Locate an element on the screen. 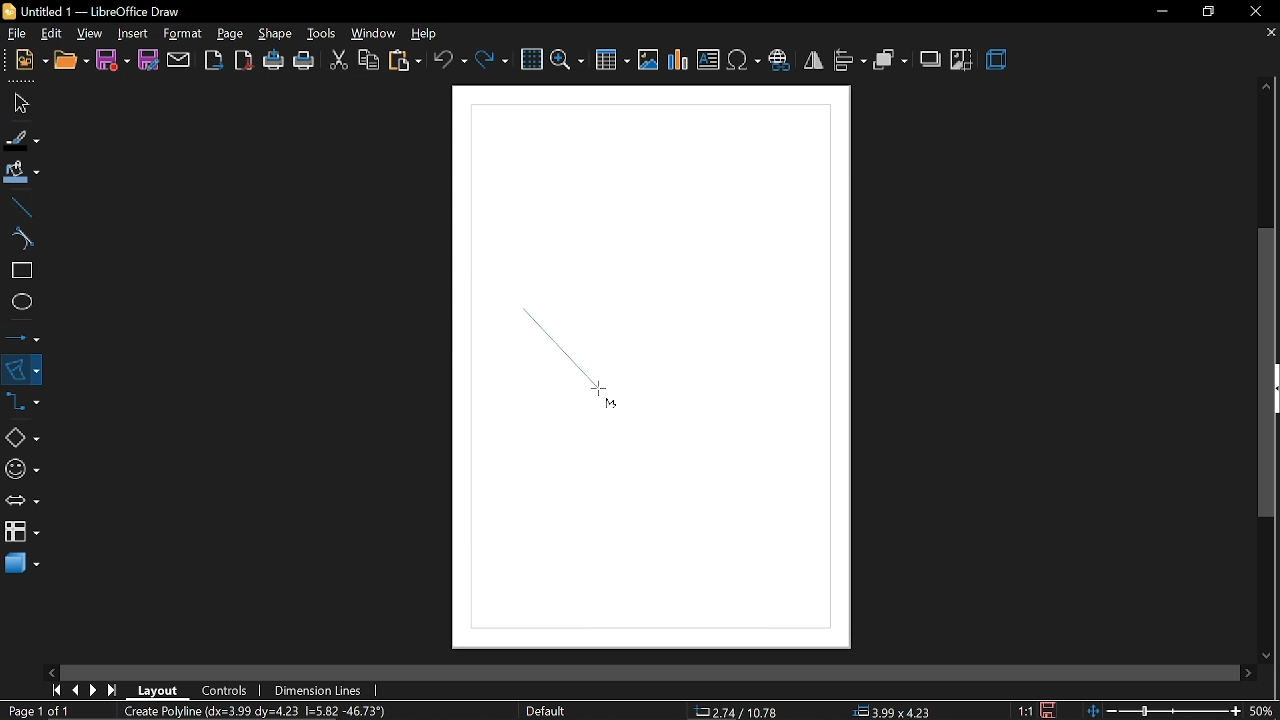 Image resolution: width=1280 pixels, height=720 pixels. move down is located at coordinates (1268, 653).